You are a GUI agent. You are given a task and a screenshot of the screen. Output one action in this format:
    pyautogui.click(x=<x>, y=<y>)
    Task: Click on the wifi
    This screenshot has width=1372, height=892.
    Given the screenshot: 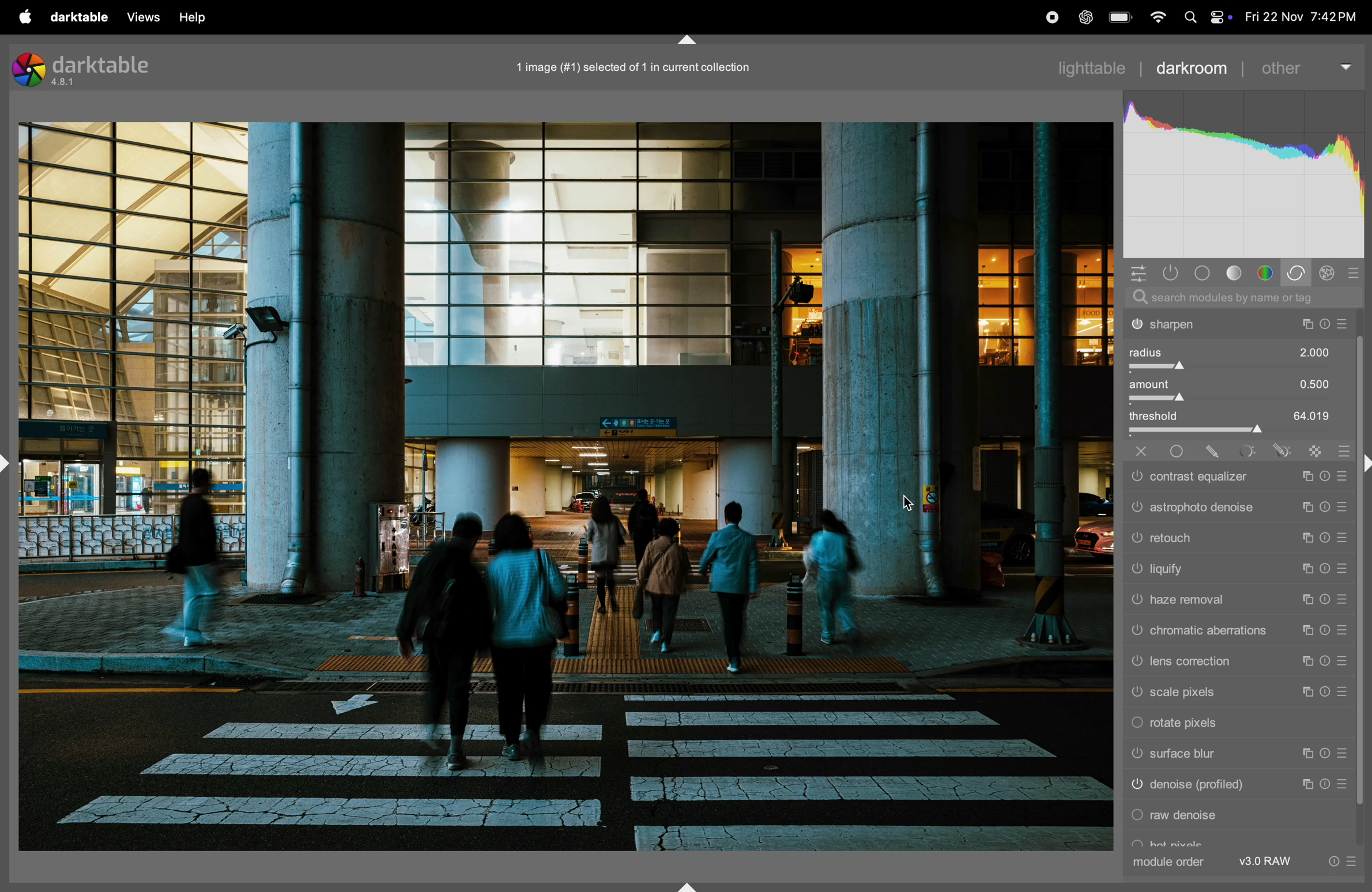 What is the action you would take?
    pyautogui.click(x=1158, y=17)
    